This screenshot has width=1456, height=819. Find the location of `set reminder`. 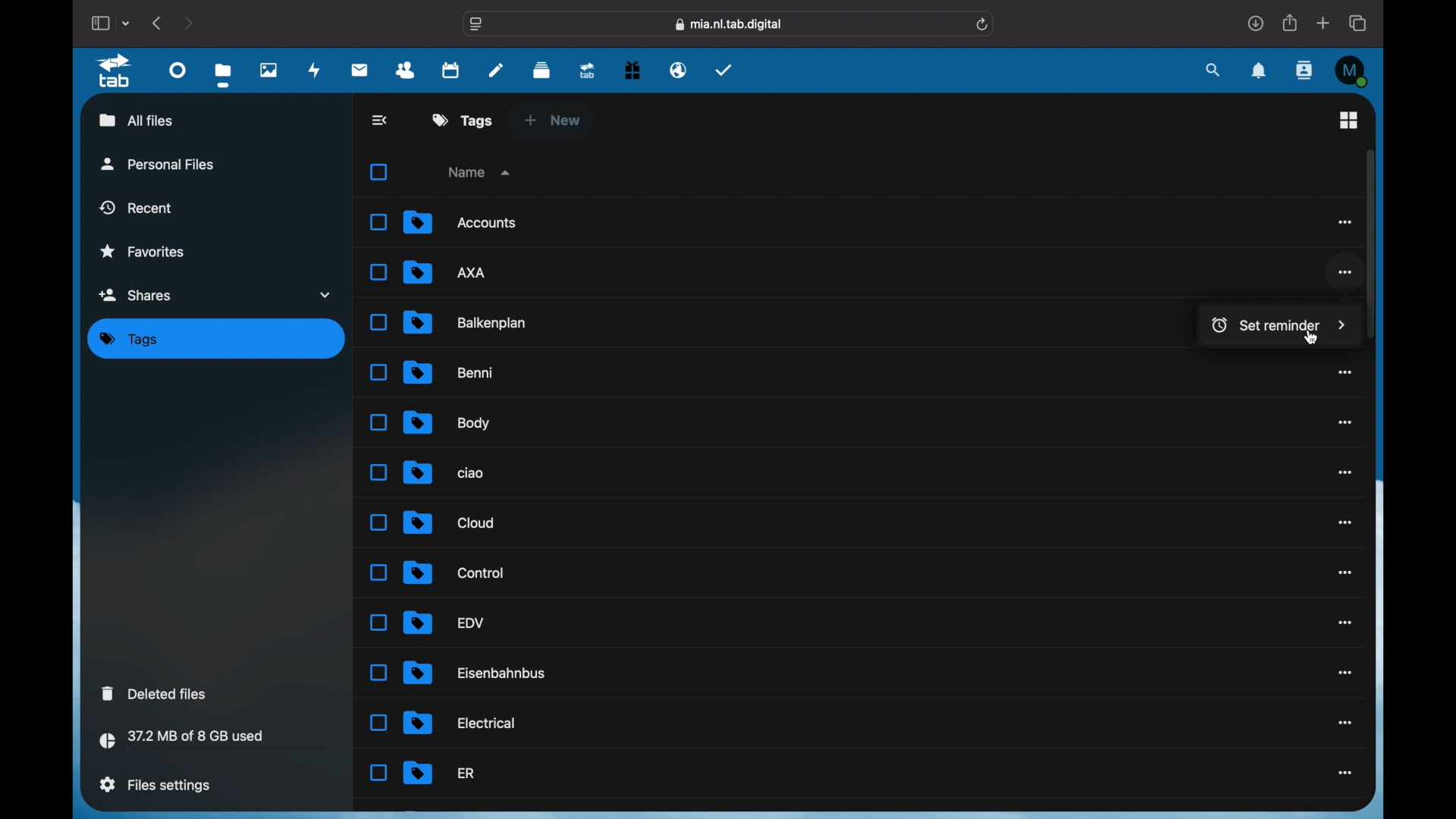

set reminder is located at coordinates (1274, 322).